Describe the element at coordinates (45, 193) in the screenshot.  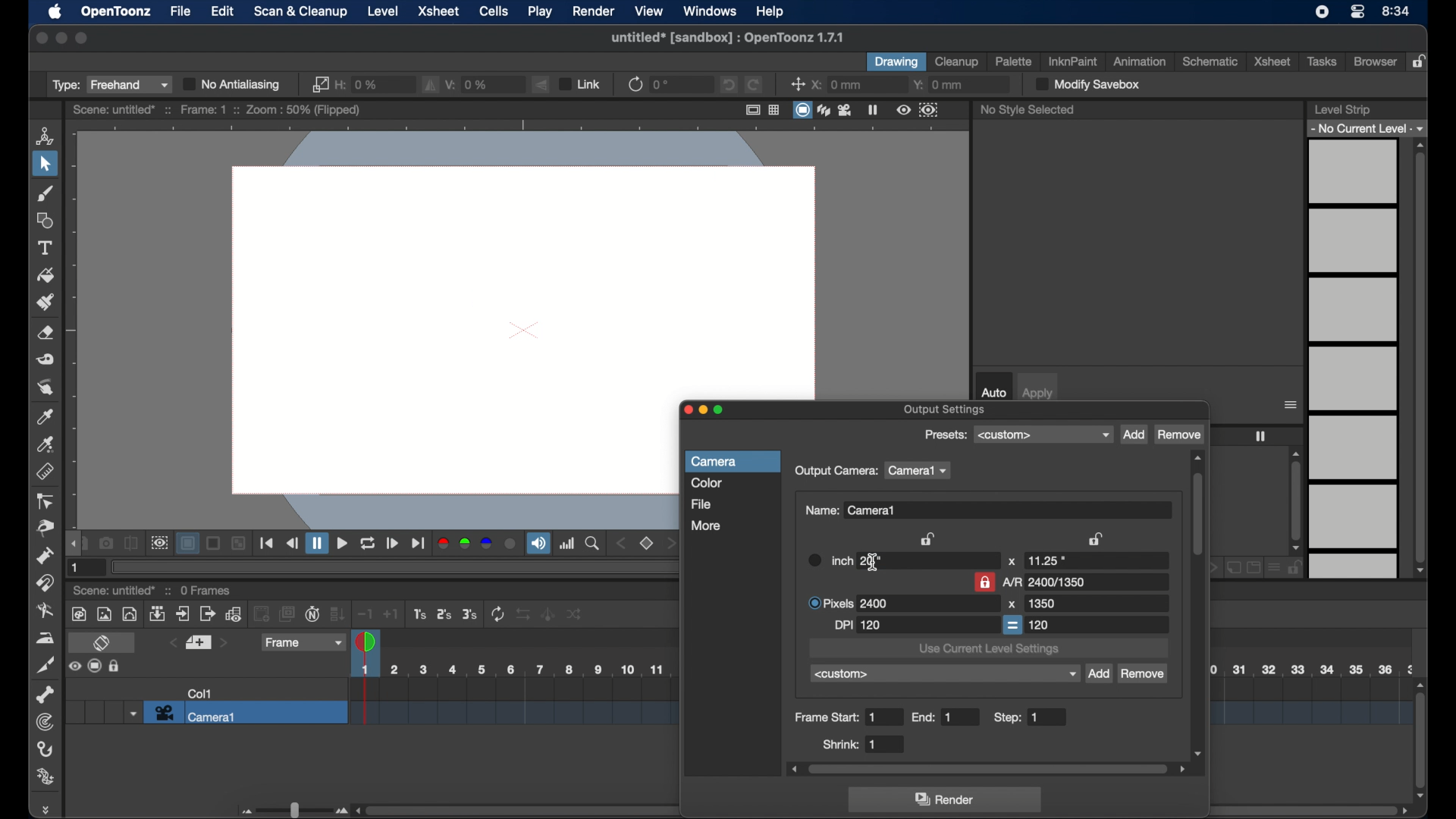
I see `brush tool` at that location.